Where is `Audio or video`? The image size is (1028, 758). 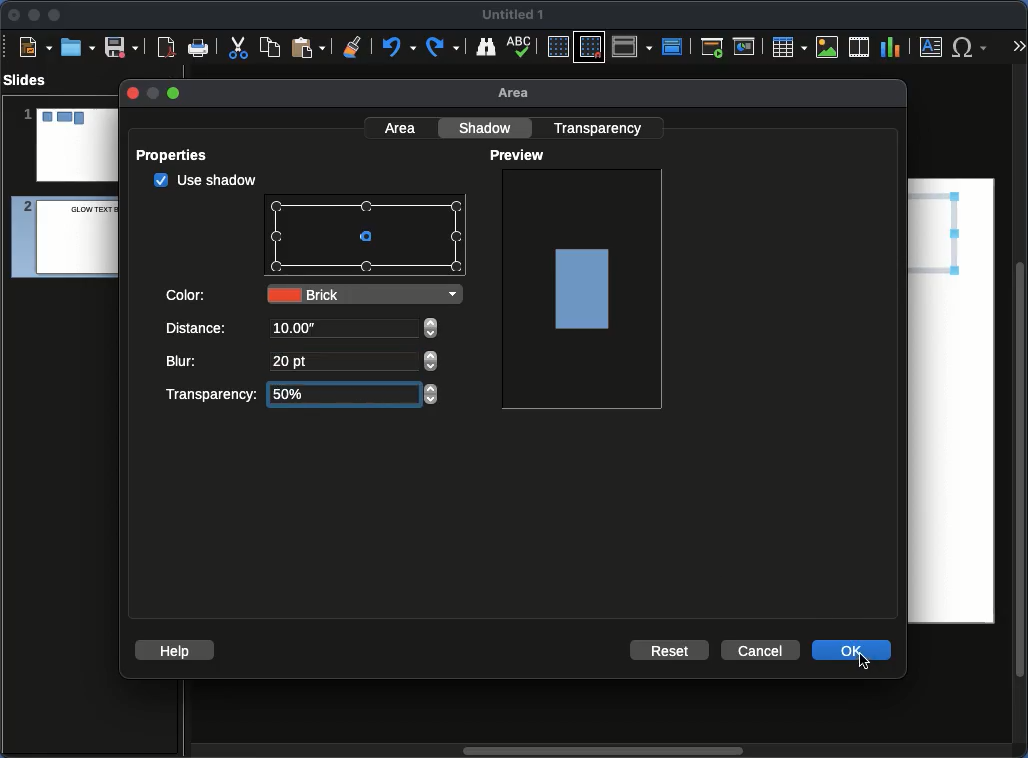 Audio or video is located at coordinates (860, 47).